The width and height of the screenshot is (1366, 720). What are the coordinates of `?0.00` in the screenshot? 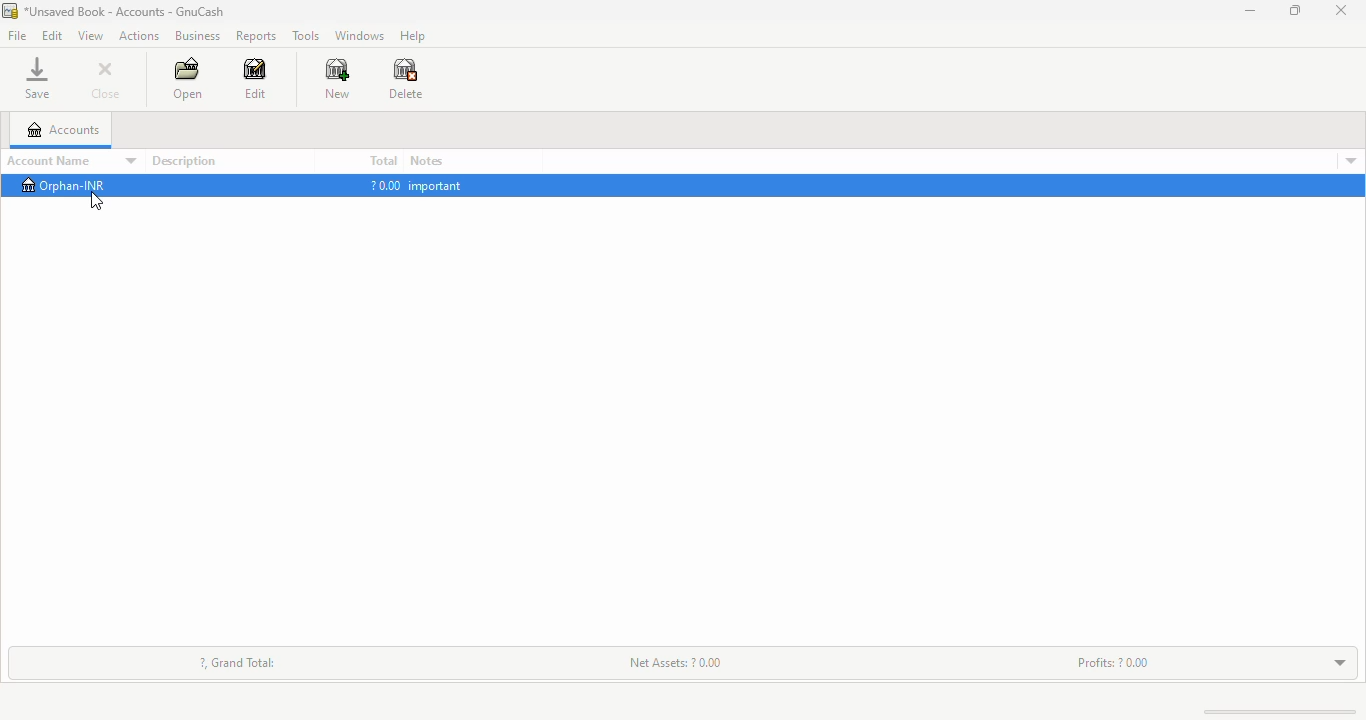 It's located at (384, 185).